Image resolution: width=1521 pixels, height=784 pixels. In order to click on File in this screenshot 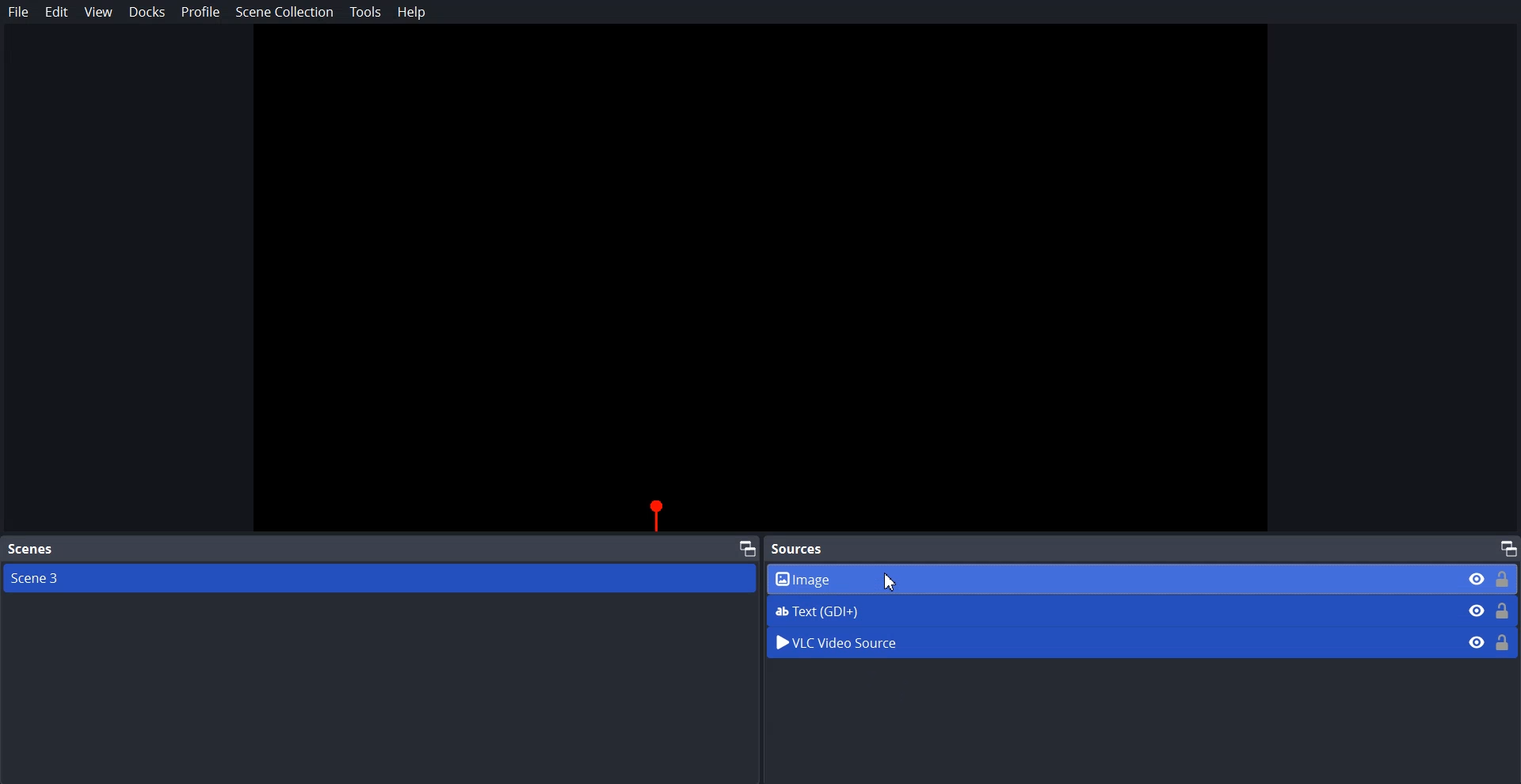, I will do `click(19, 12)`.